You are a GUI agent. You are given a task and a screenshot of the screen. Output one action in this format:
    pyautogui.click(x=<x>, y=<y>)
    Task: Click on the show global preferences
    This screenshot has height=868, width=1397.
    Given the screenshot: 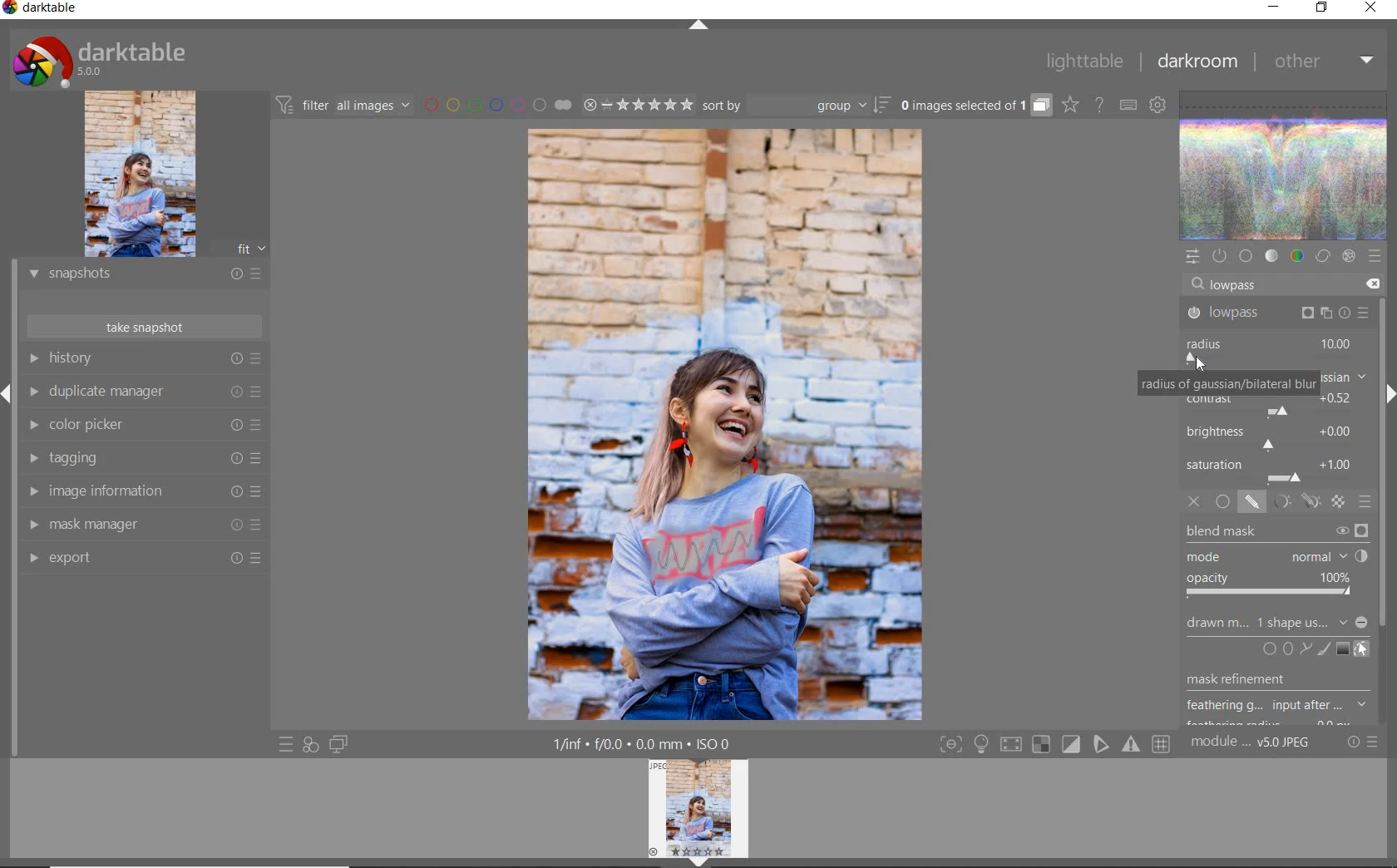 What is the action you would take?
    pyautogui.click(x=1158, y=106)
    